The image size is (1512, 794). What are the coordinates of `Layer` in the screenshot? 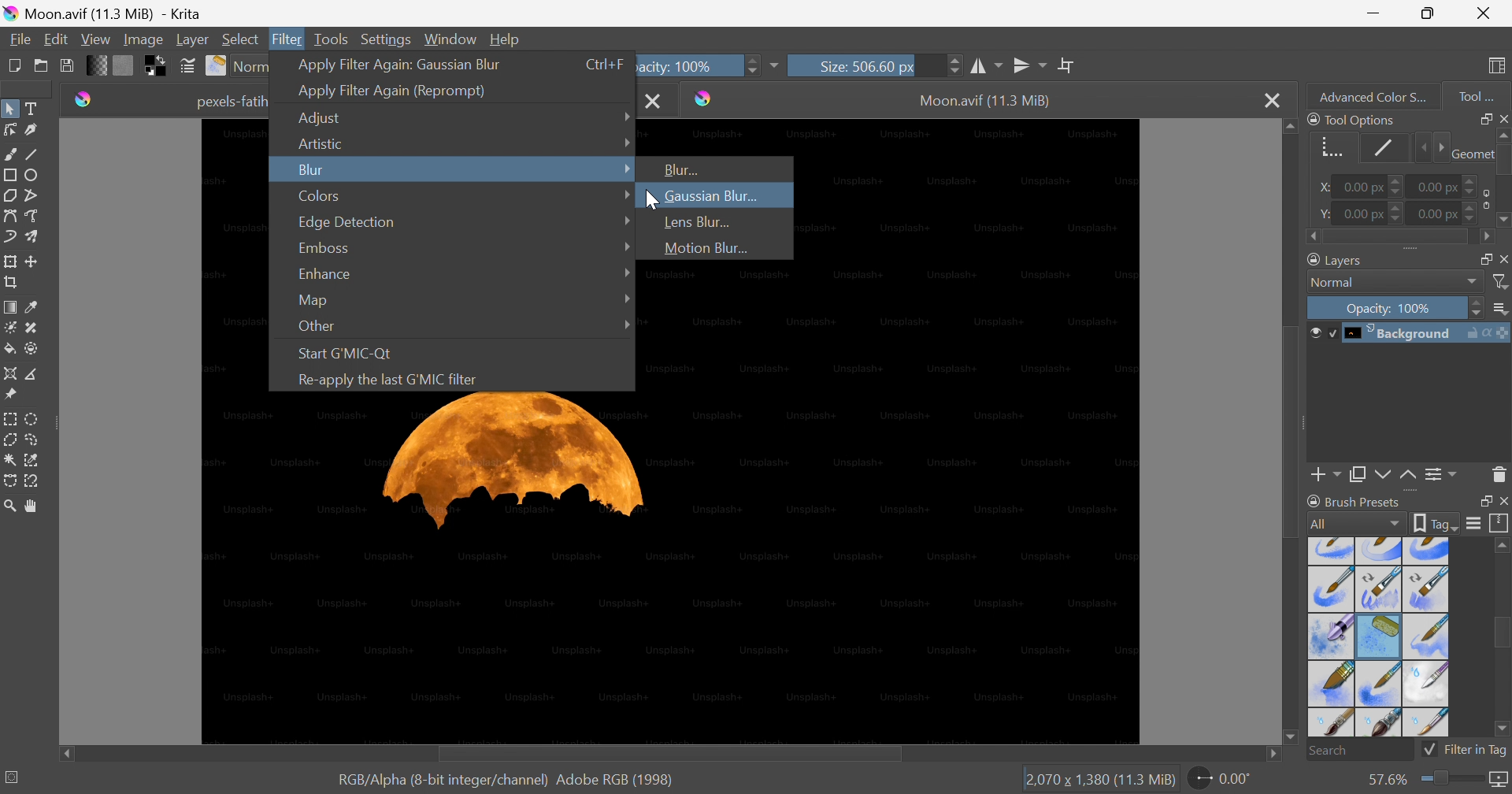 It's located at (192, 41).